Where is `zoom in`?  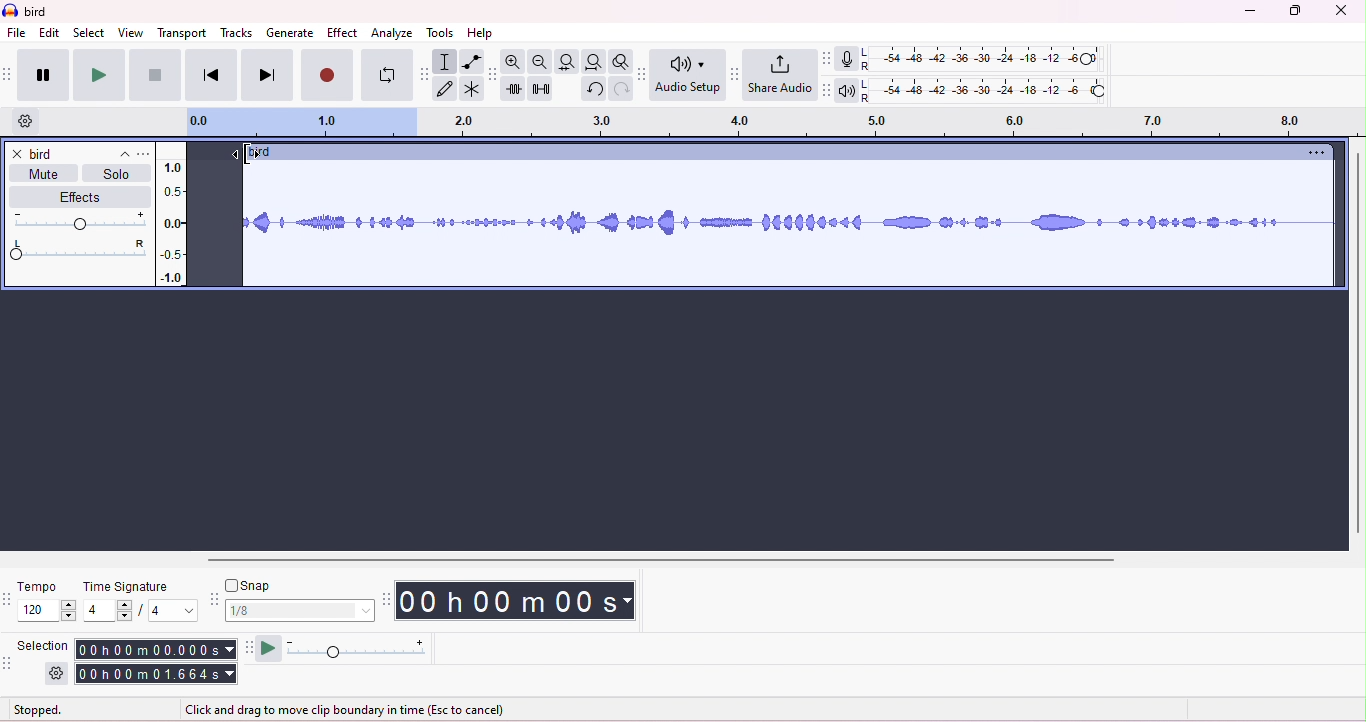
zoom in is located at coordinates (517, 62).